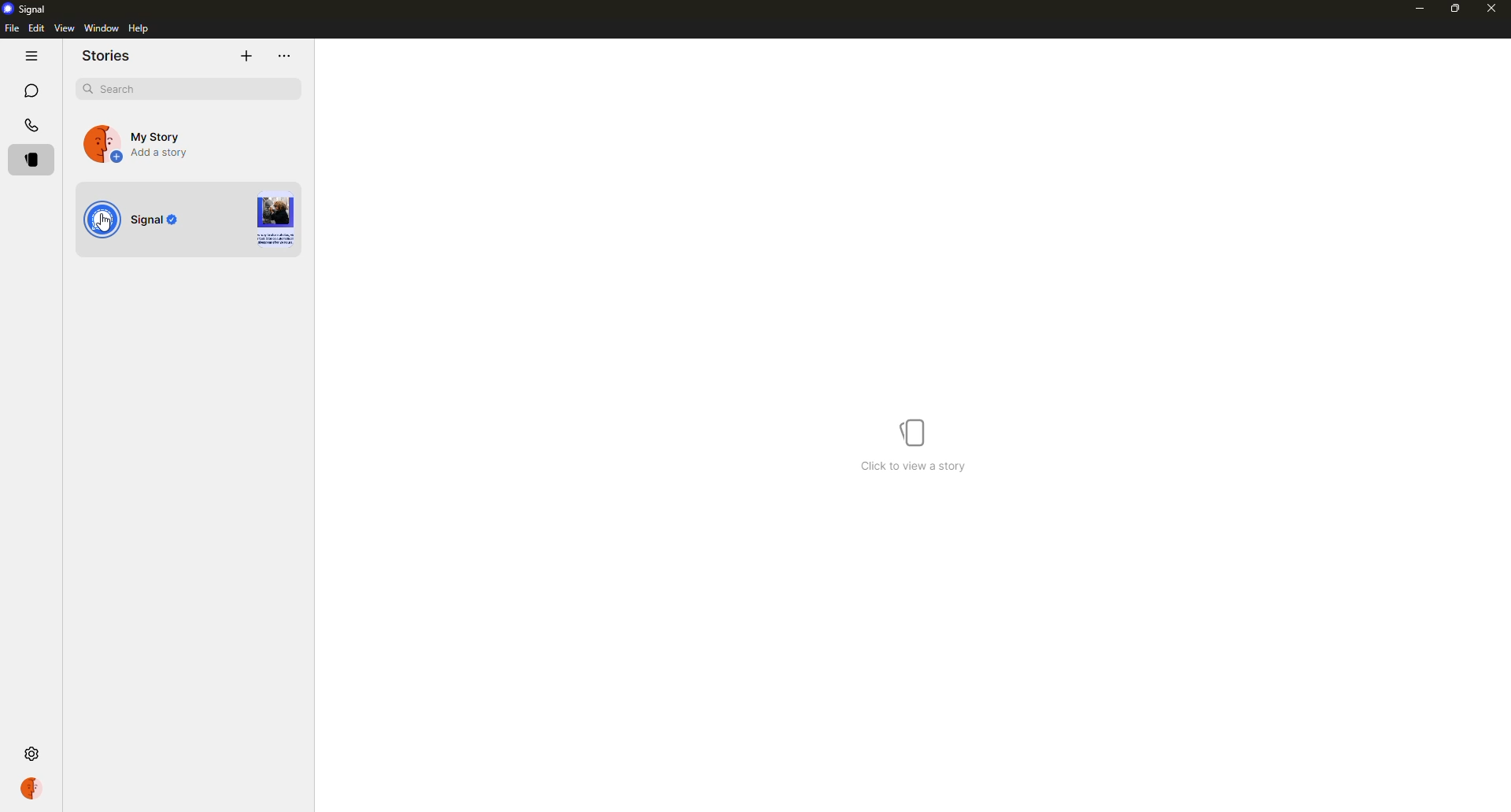  Describe the element at coordinates (31, 90) in the screenshot. I see `chats` at that location.